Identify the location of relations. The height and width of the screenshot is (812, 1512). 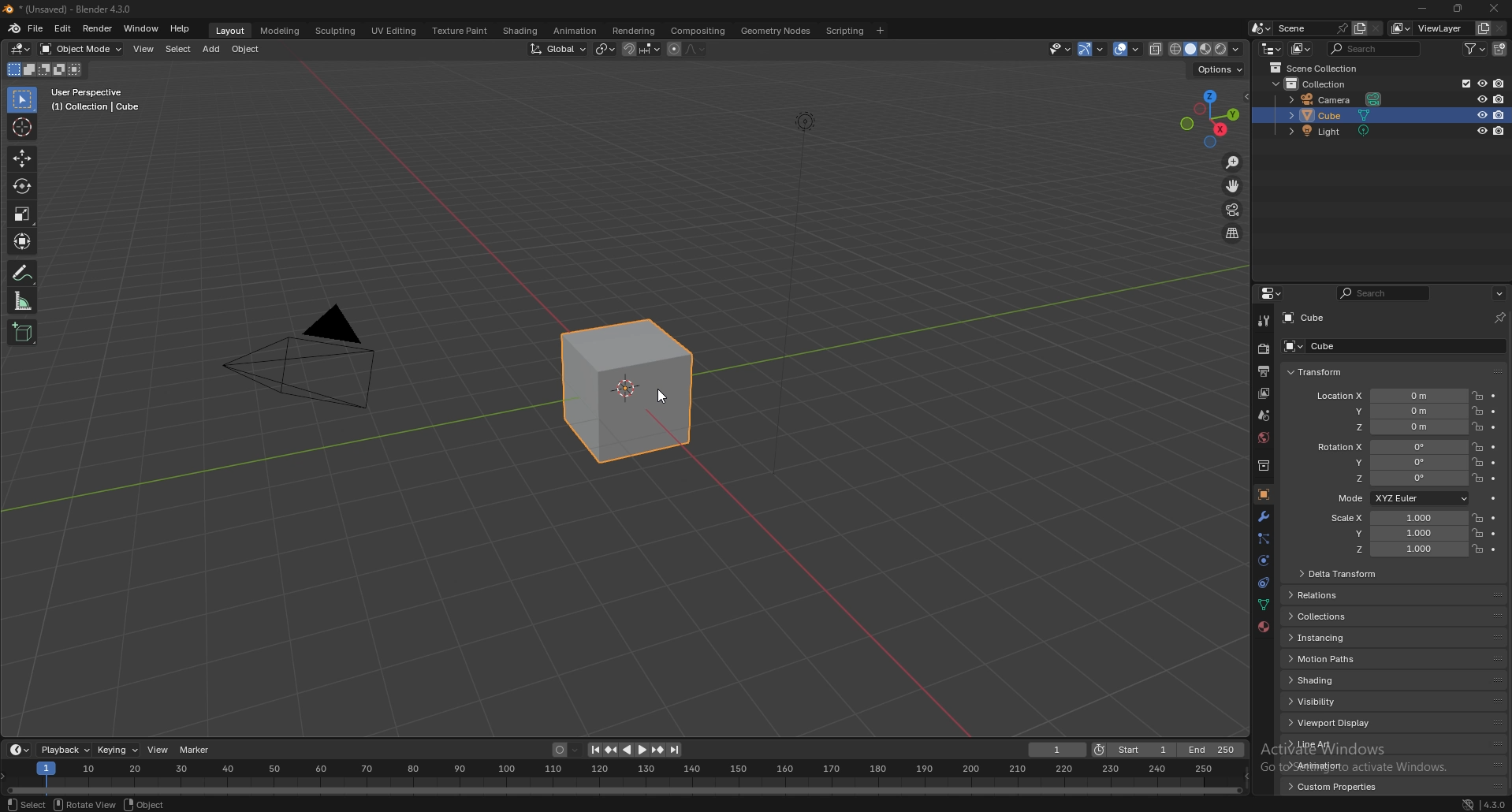
(1353, 596).